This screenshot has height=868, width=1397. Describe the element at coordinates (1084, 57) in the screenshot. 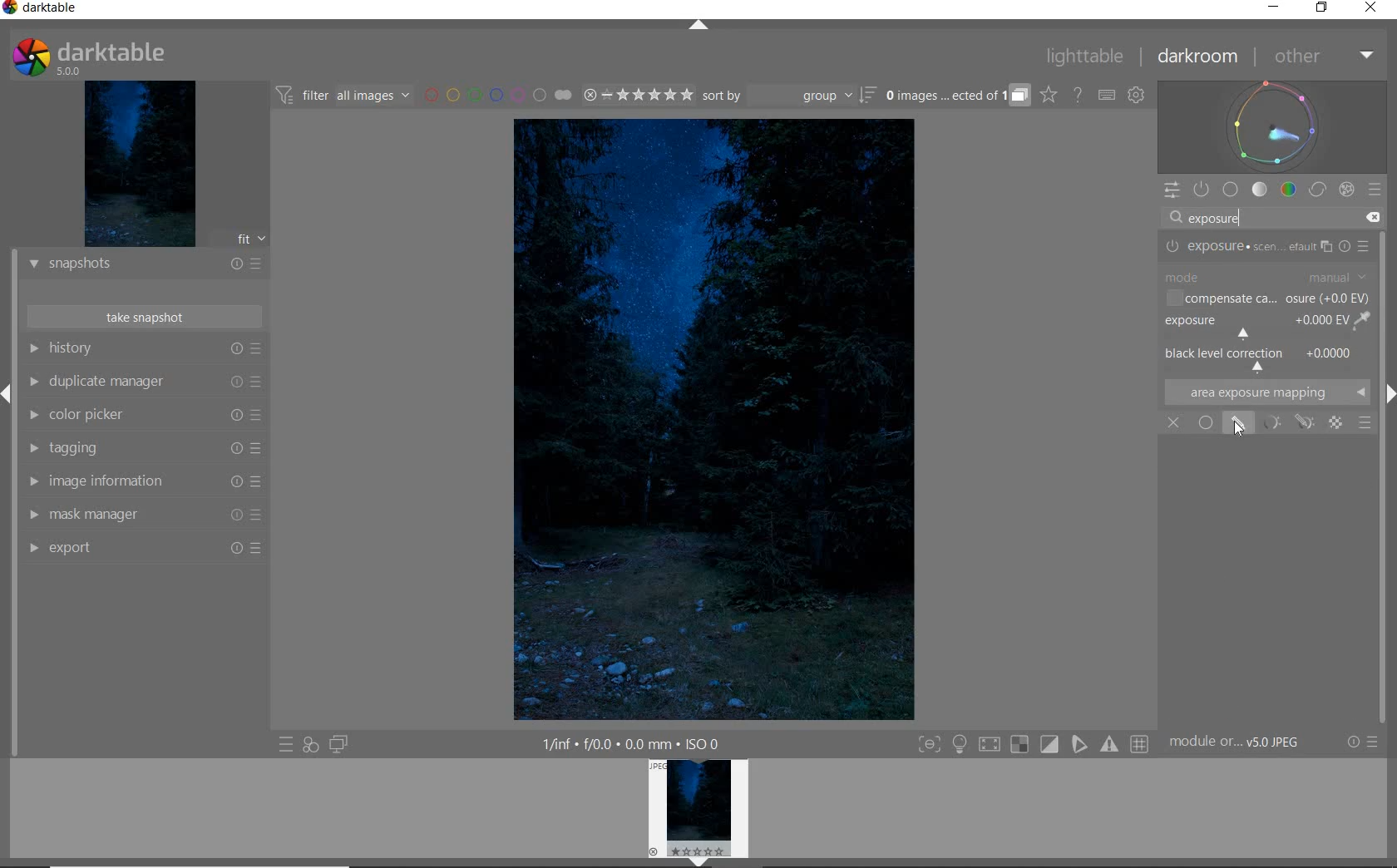

I see `LIGHTTABLE` at that location.